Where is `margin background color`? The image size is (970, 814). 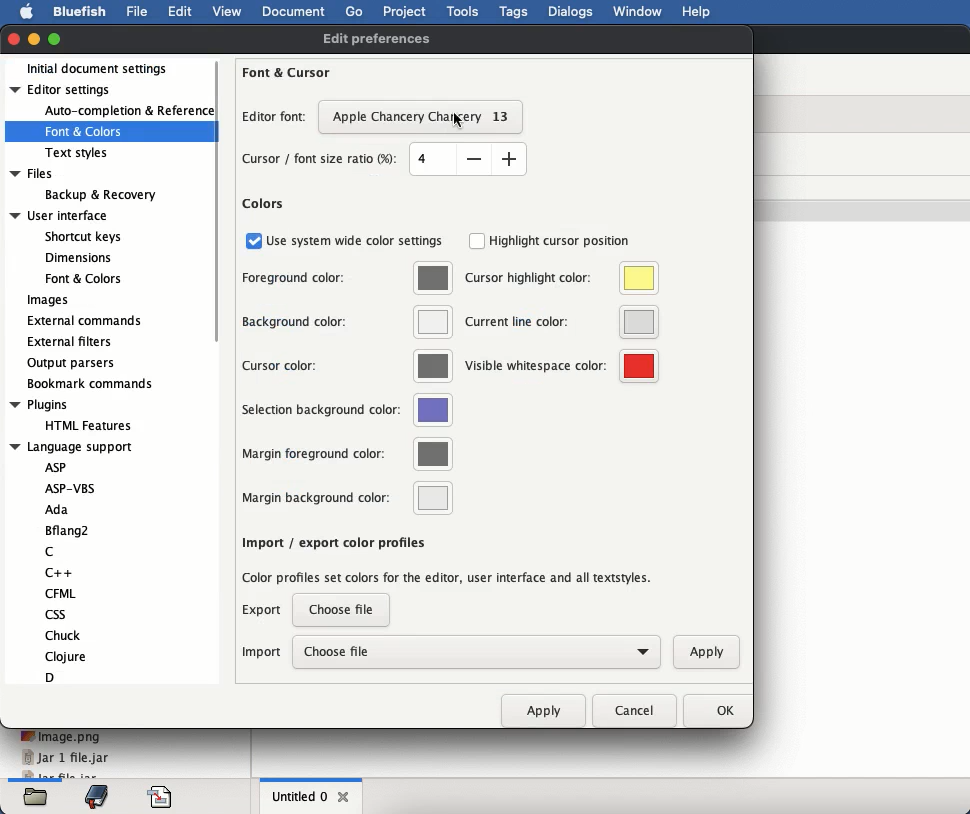 margin background color is located at coordinates (346, 497).